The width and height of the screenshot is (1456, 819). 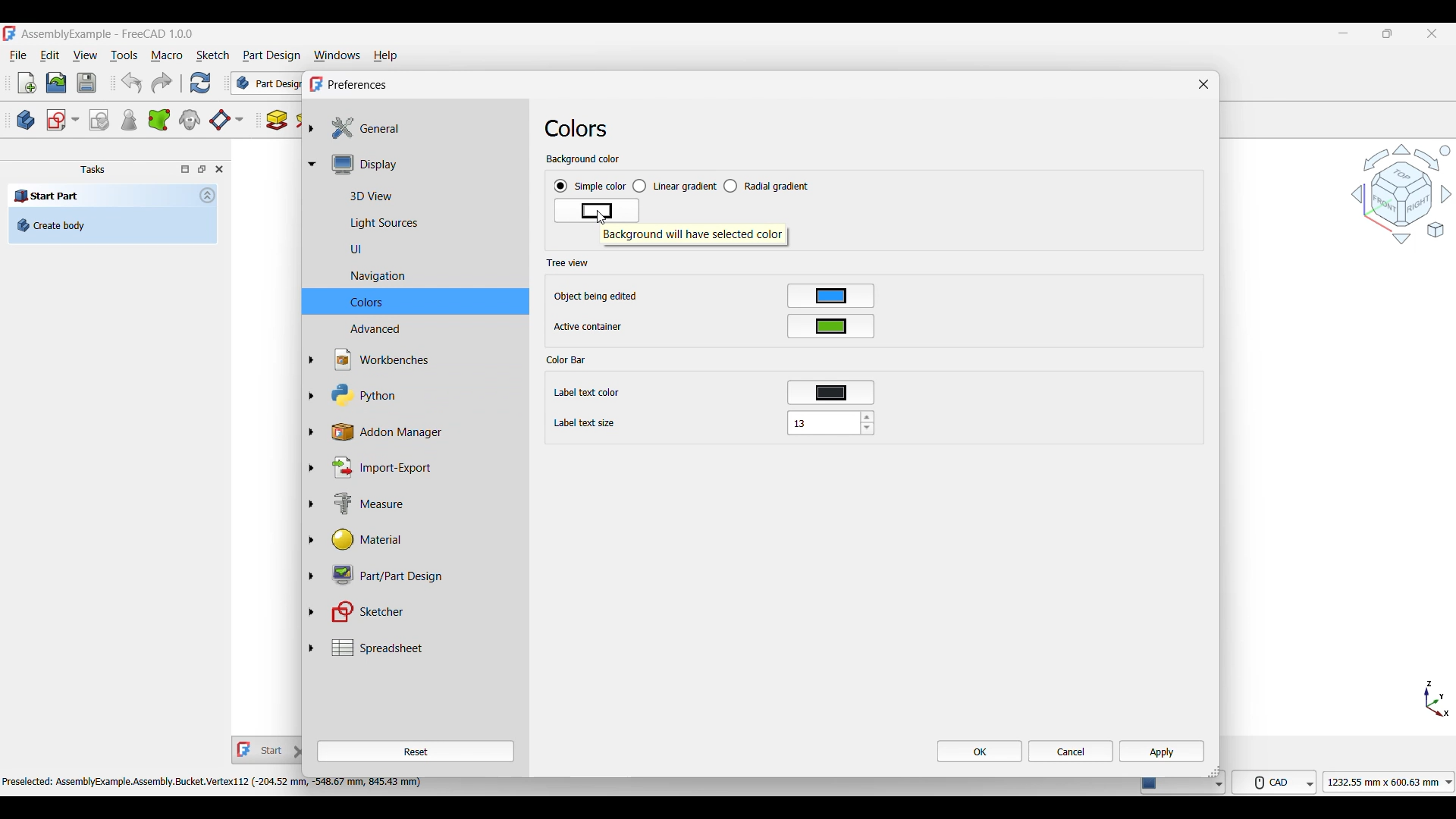 What do you see at coordinates (219, 169) in the screenshot?
I see `Close` at bounding box center [219, 169].